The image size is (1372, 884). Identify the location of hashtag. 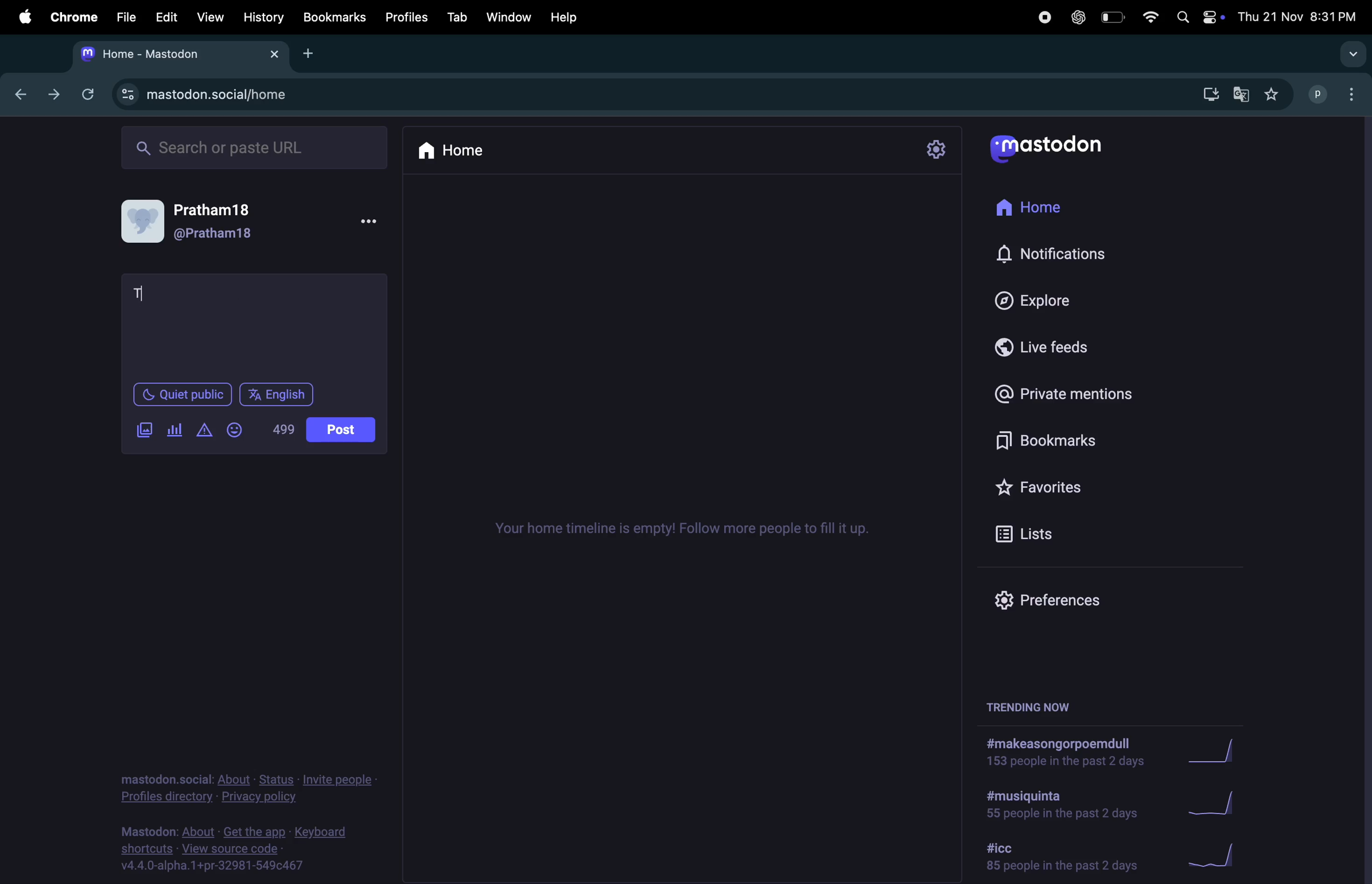
(1063, 750).